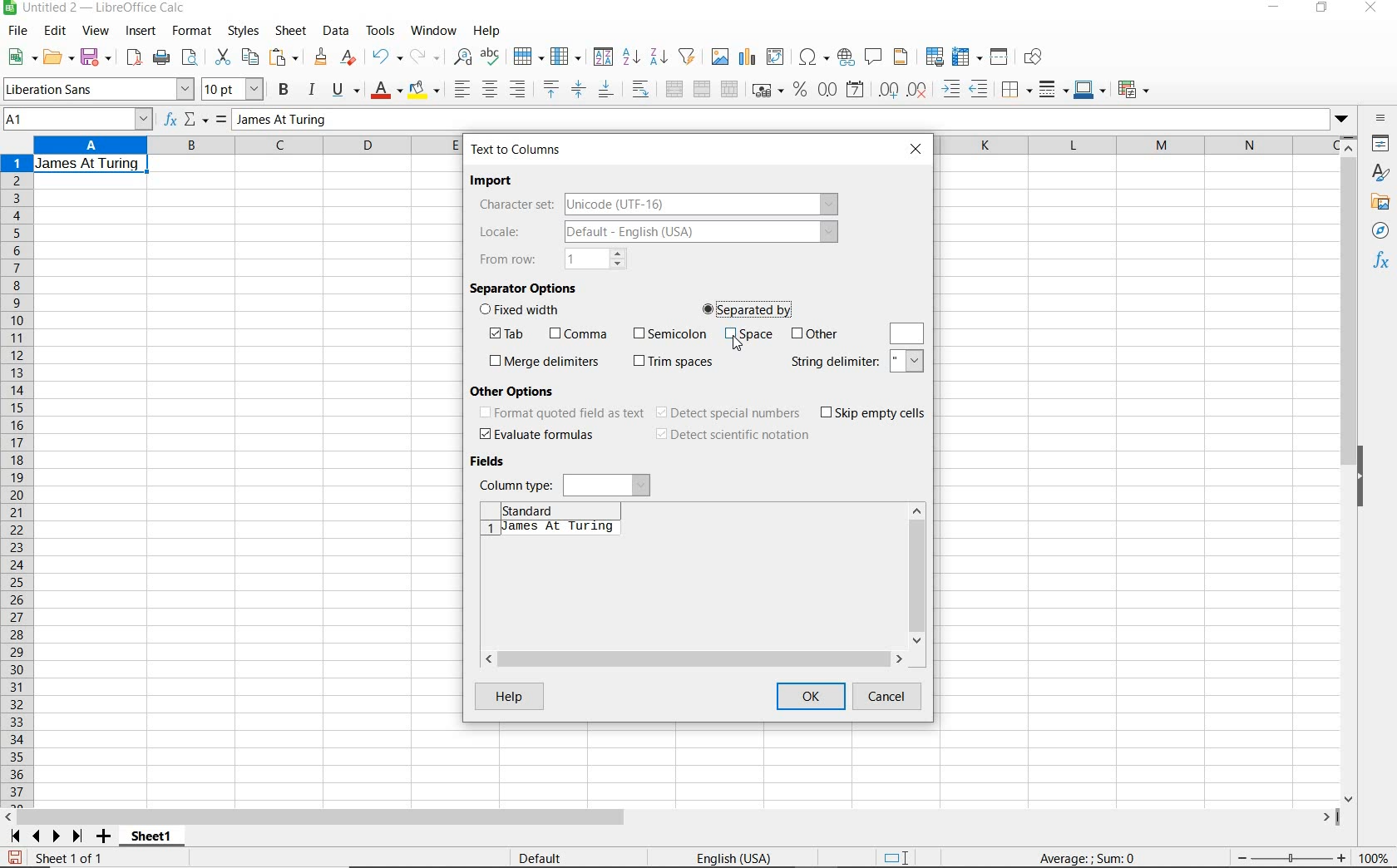  What do you see at coordinates (548, 531) in the screenshot?
I see `split text` at bounding box center [548, 531].